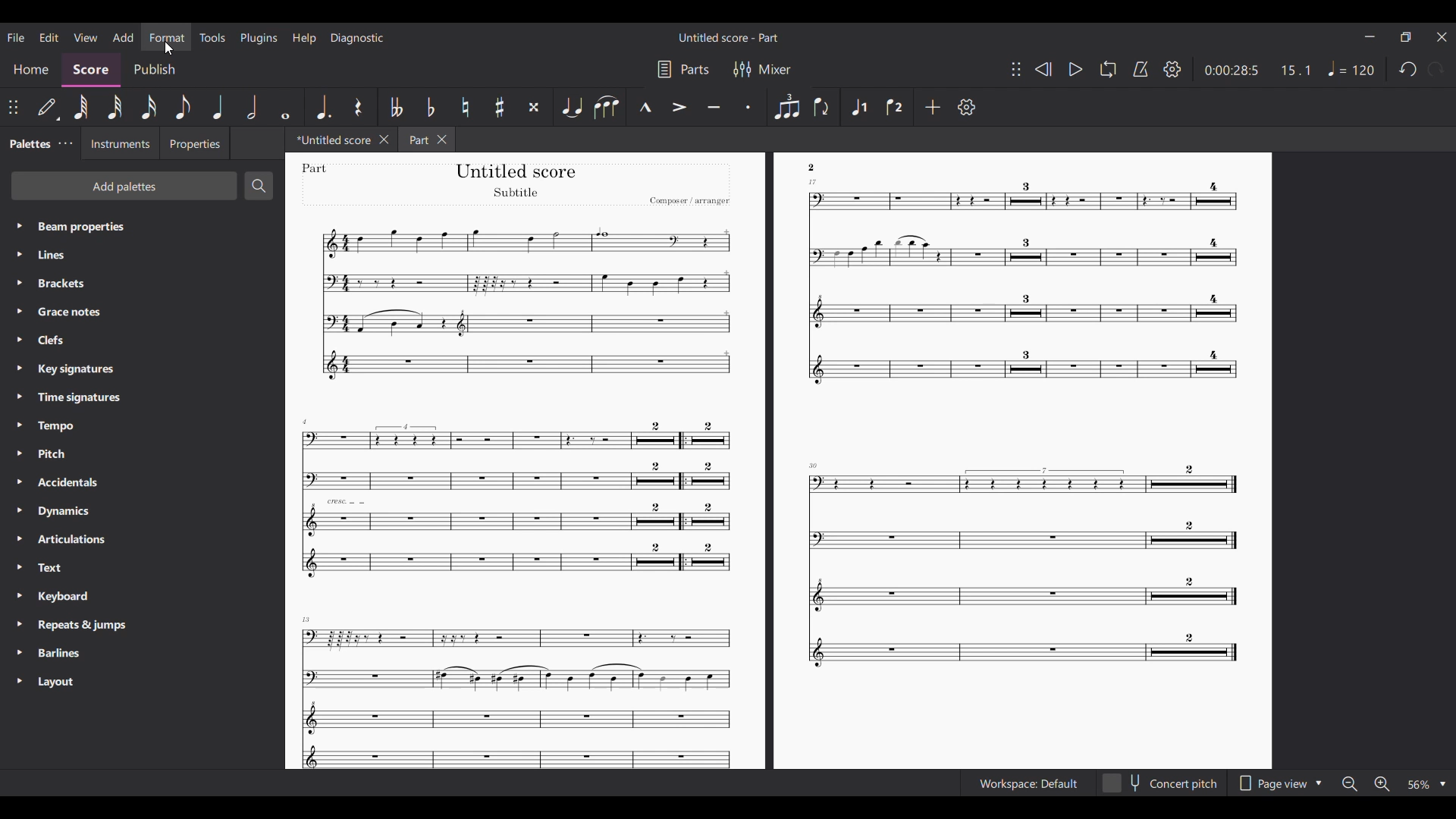 This screenshot has height=819, width=1456. What do you see at coordinates (123, 37) in the screenshot?
I see `Add menu` at bounding box center [123, 37].